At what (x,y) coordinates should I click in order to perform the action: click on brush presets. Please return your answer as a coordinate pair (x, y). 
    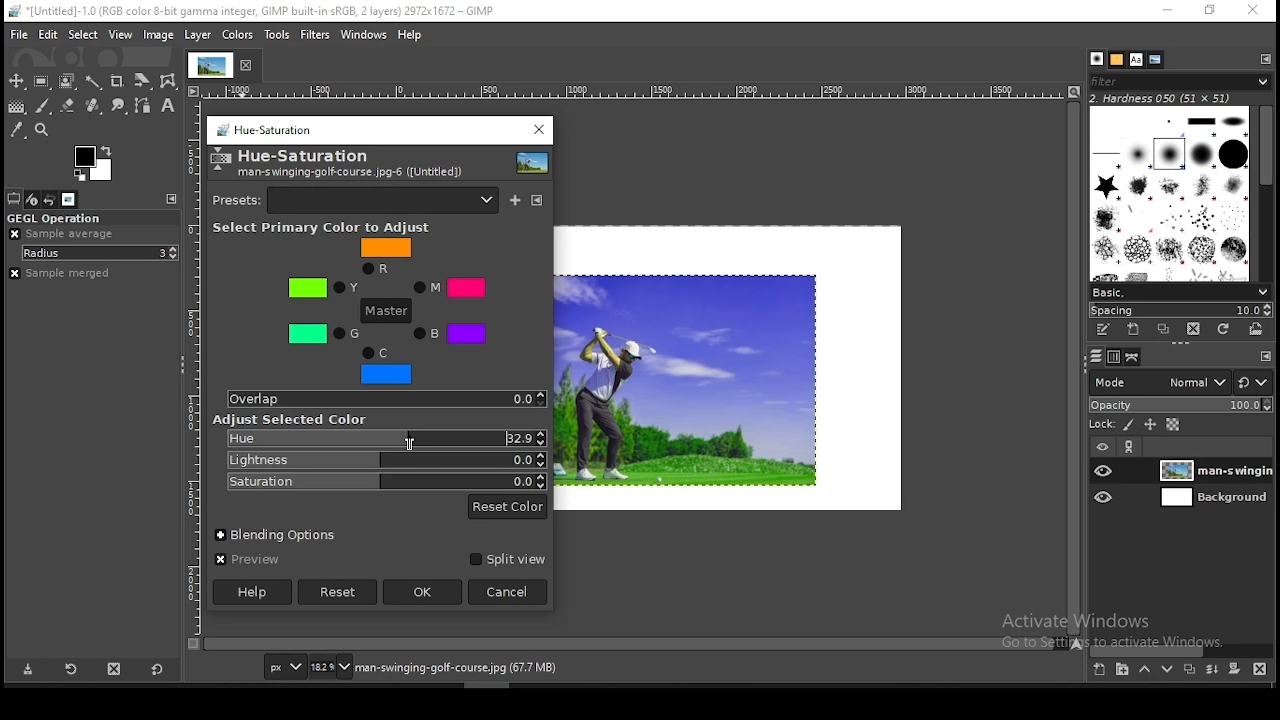
    Looking at the image, I should click on (1179, 292).